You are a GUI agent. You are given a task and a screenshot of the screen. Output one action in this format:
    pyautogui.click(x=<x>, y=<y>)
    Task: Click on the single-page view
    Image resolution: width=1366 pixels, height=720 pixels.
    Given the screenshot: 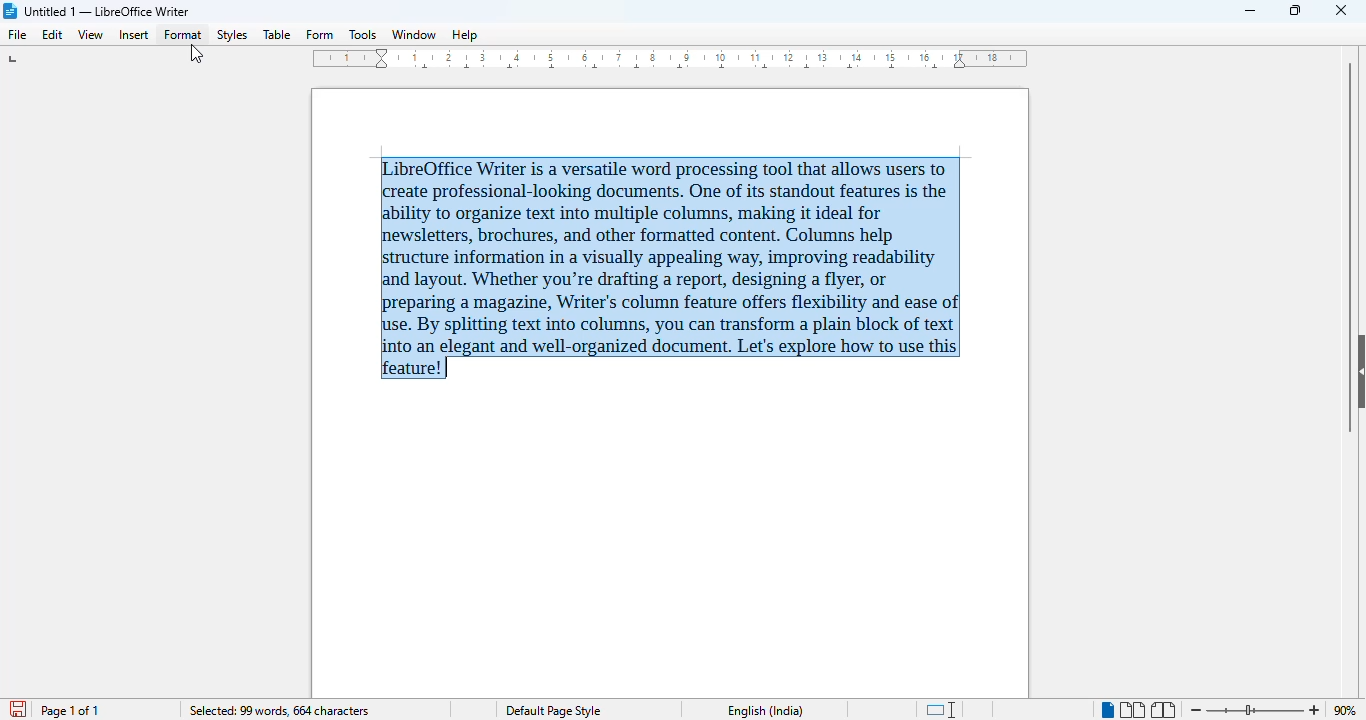 What is the action you would take?
    pyautogui.click(x=1106, y=710)
    